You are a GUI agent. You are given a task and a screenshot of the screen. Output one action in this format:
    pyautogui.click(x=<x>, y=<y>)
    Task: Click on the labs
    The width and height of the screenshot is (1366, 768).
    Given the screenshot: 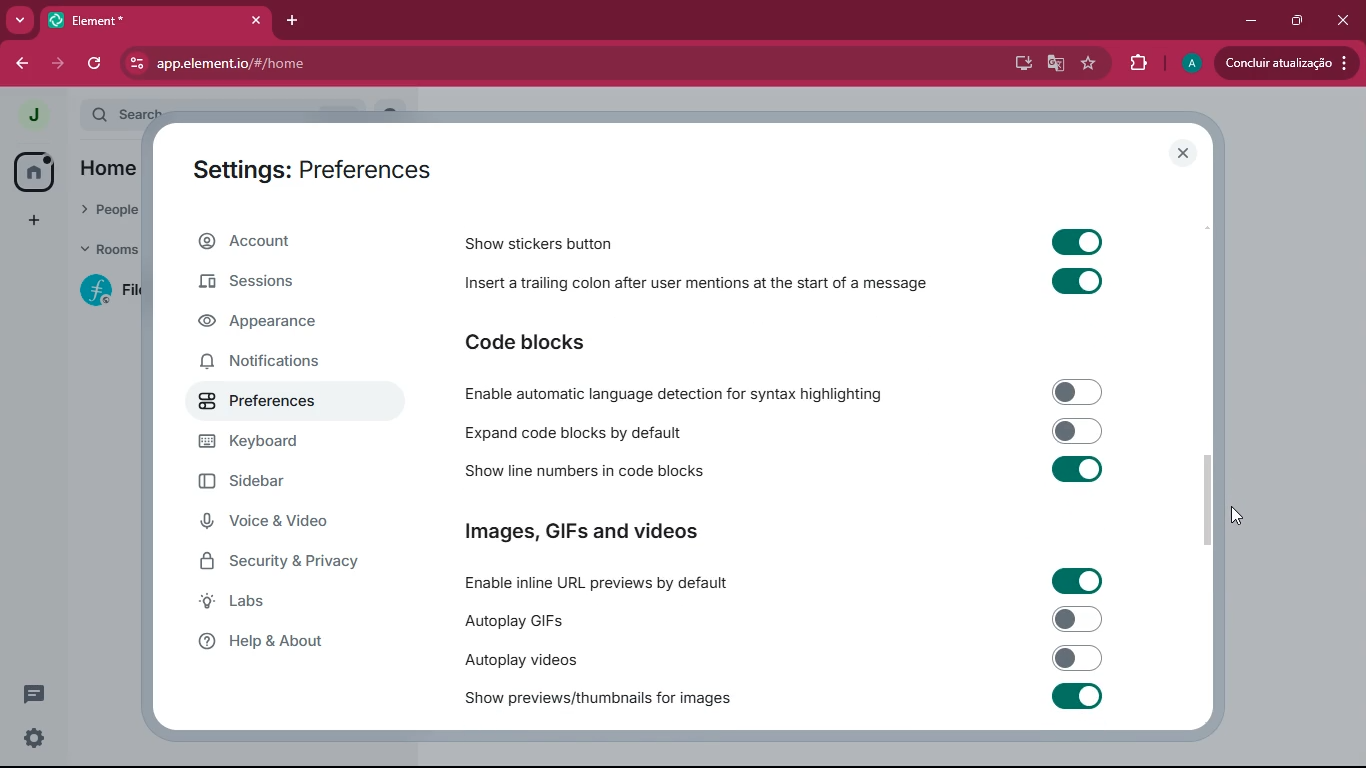 What is the action you would take?
    pyautogui.click(x=288, y=606)
    